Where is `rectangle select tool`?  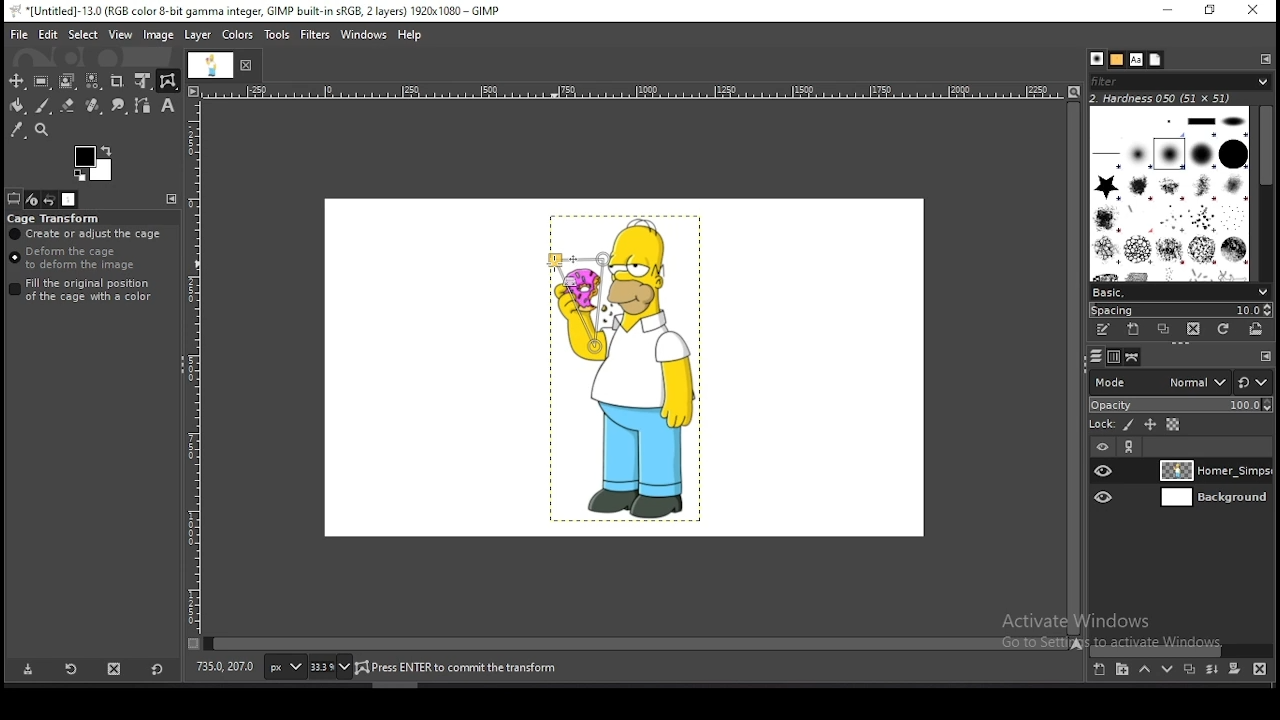 rectangle select tool is located at coordinates (42, 81).